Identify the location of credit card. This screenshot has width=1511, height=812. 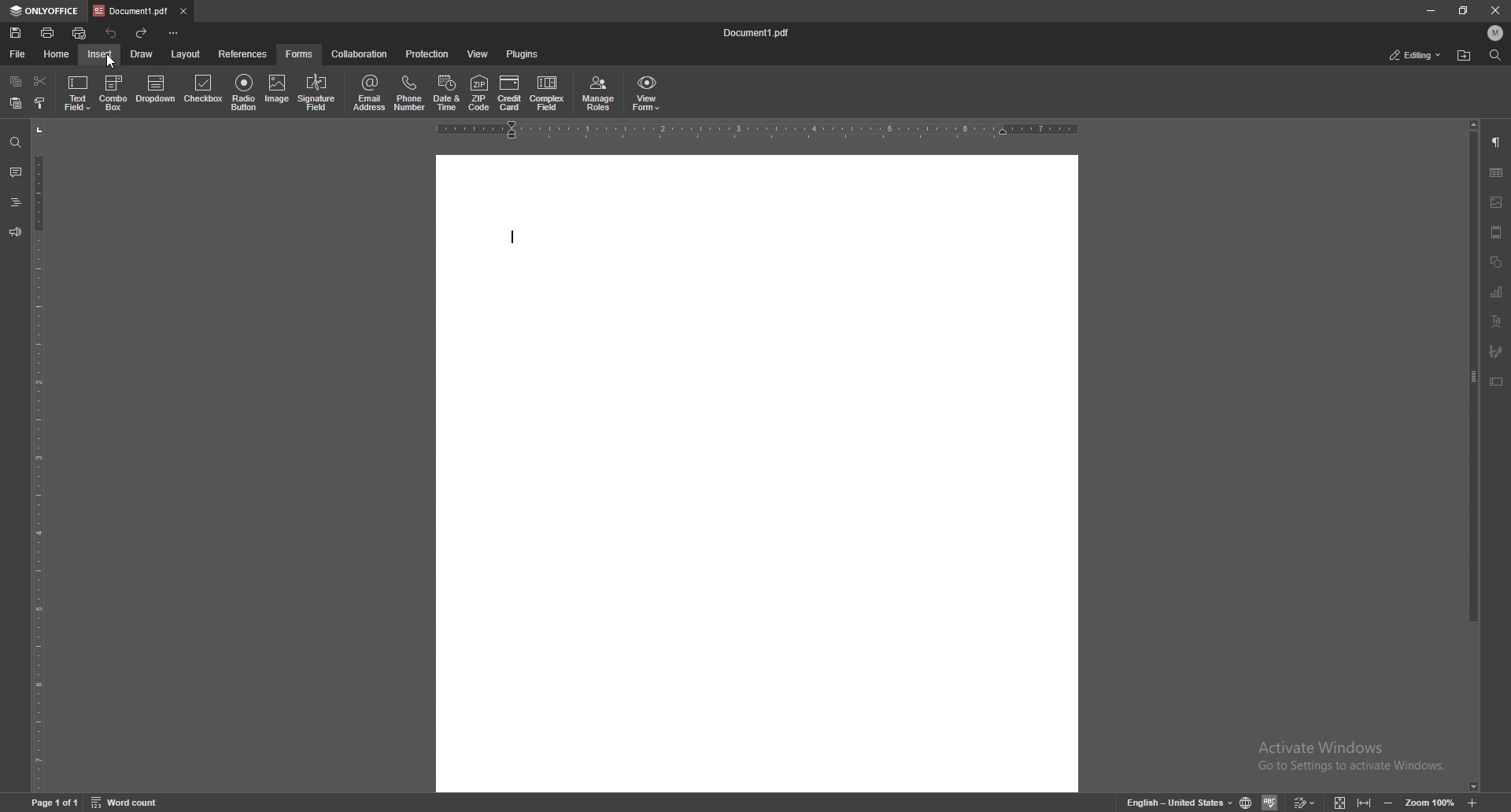
(510, 93).